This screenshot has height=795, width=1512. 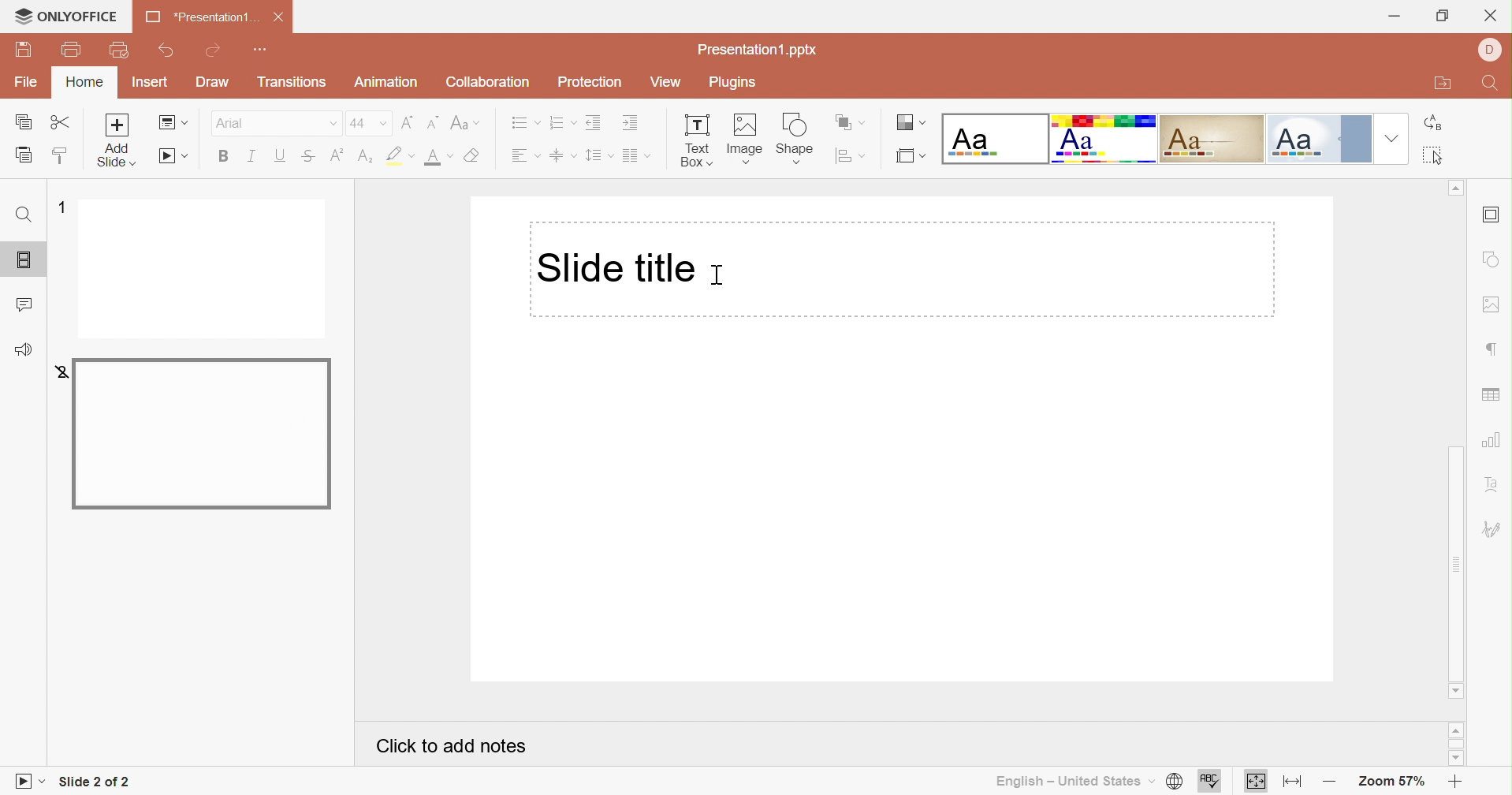 I want to click on Start slideshow, so click(x=172, y=157).